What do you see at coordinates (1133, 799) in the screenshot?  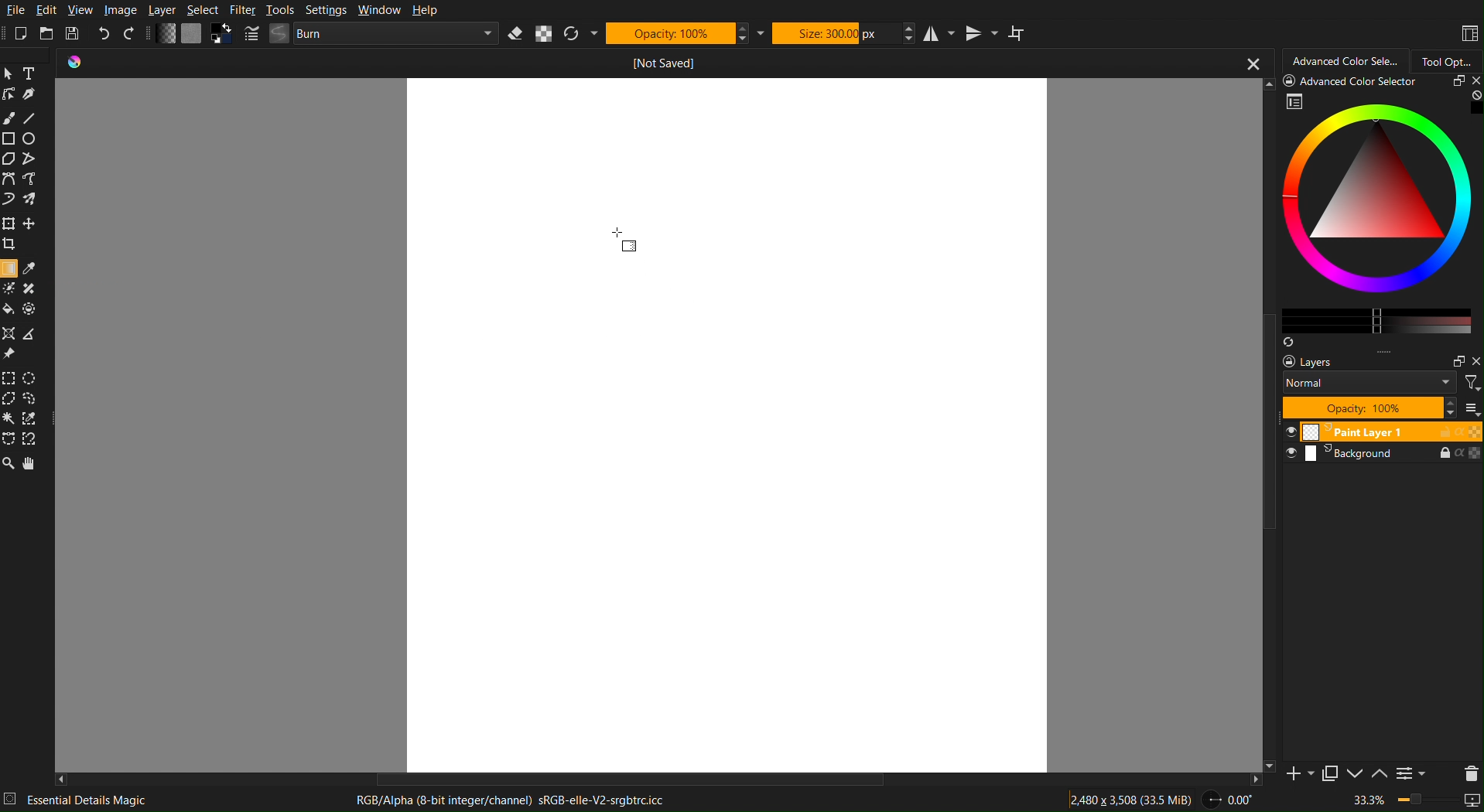 I see `Dimensions` at bounding box center [1133, 799].